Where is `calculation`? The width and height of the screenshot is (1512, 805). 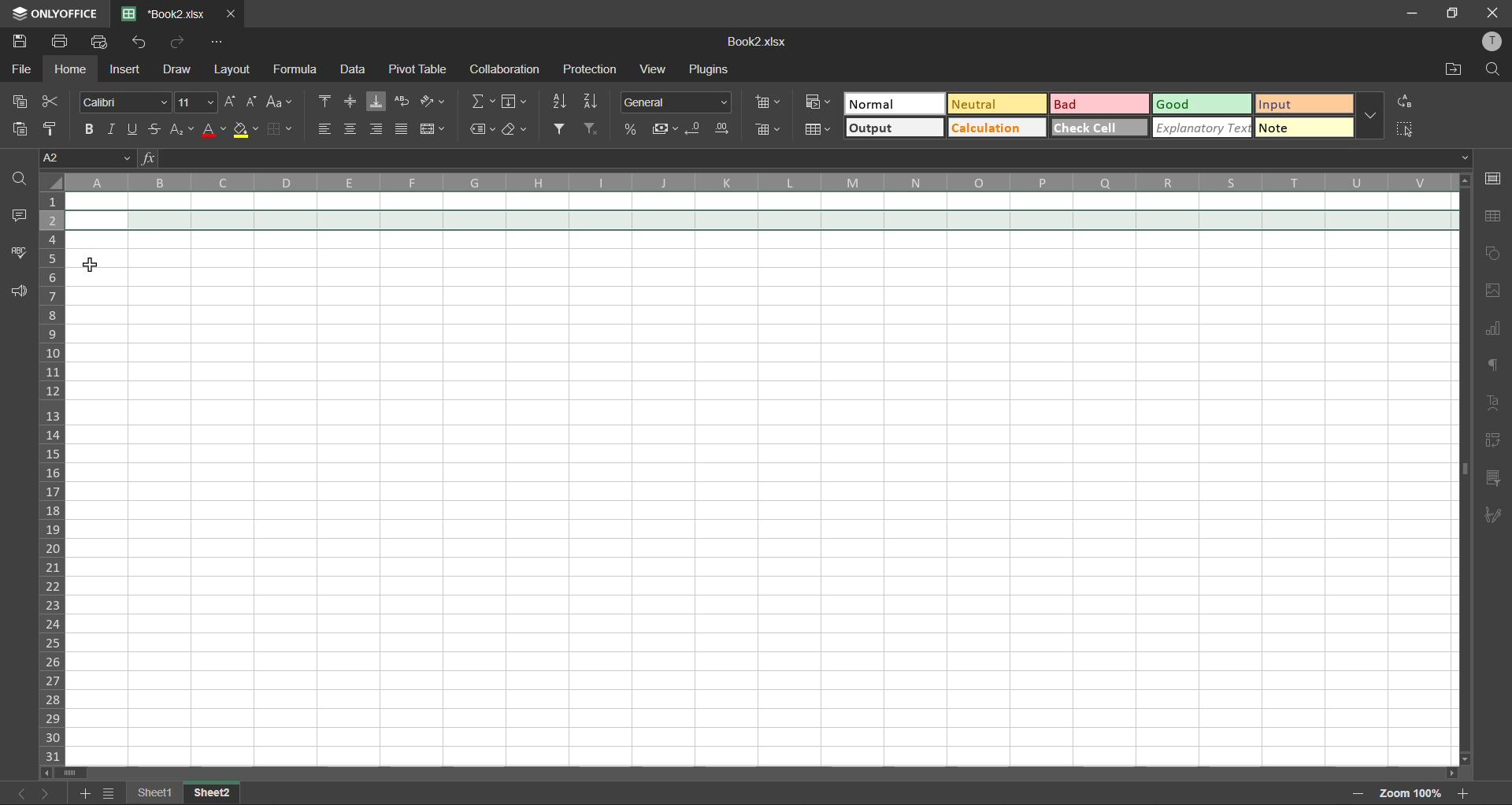 calculation is located at coordinates (995, 128).